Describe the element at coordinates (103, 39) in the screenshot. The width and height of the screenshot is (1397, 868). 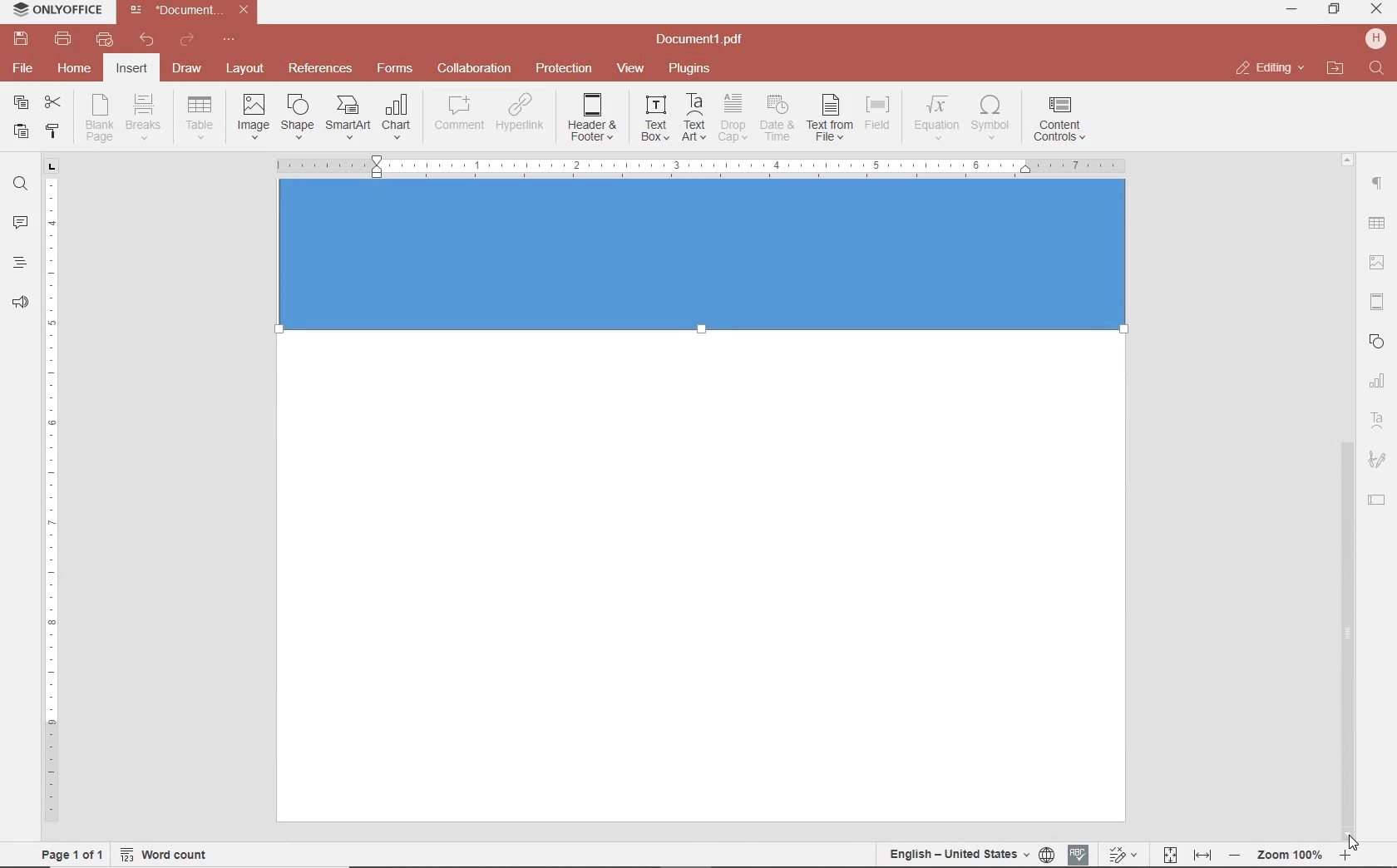
I see `quick print` at that location.